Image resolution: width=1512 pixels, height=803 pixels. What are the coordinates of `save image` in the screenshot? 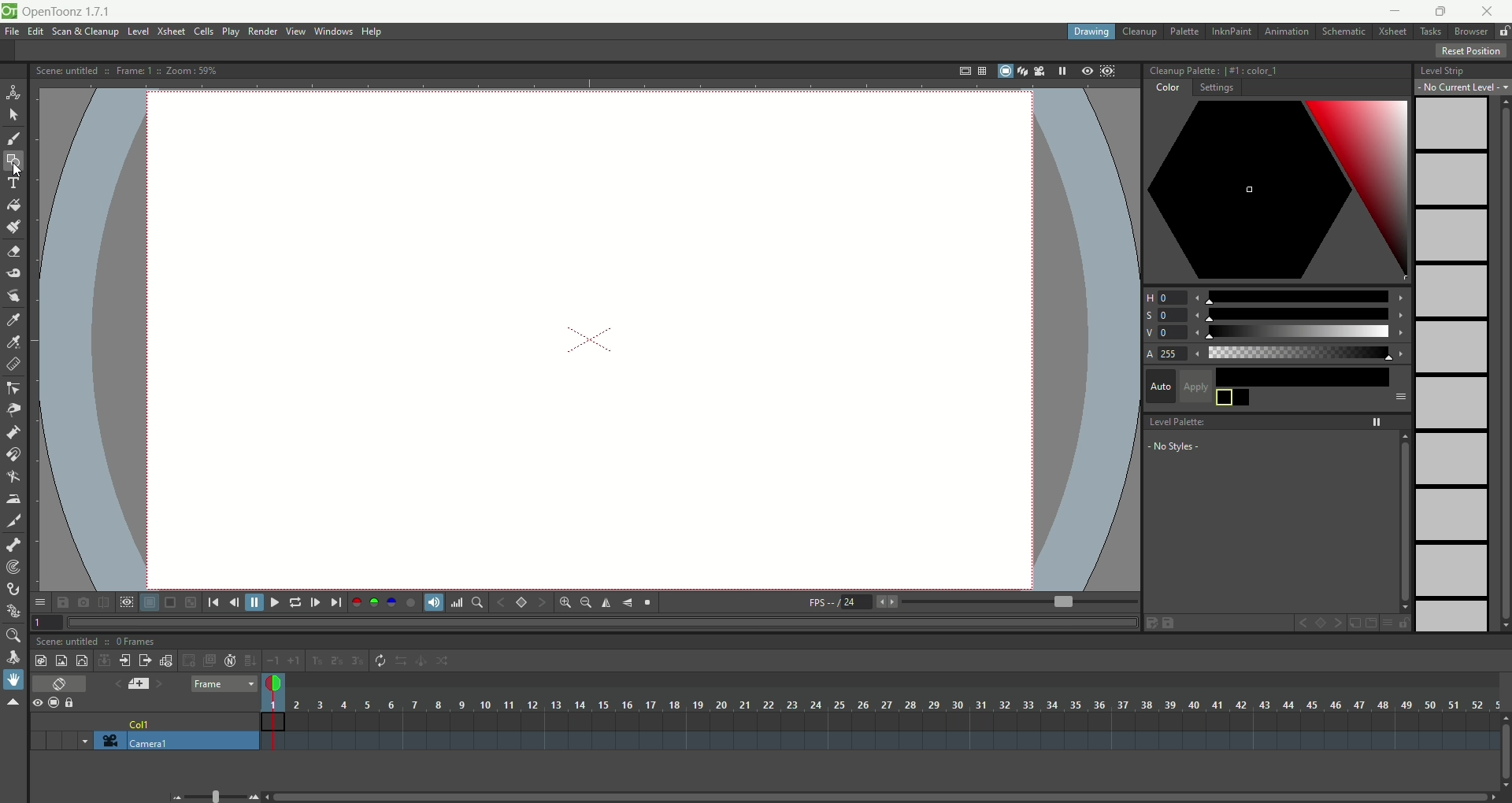 It's located at (65, 602).